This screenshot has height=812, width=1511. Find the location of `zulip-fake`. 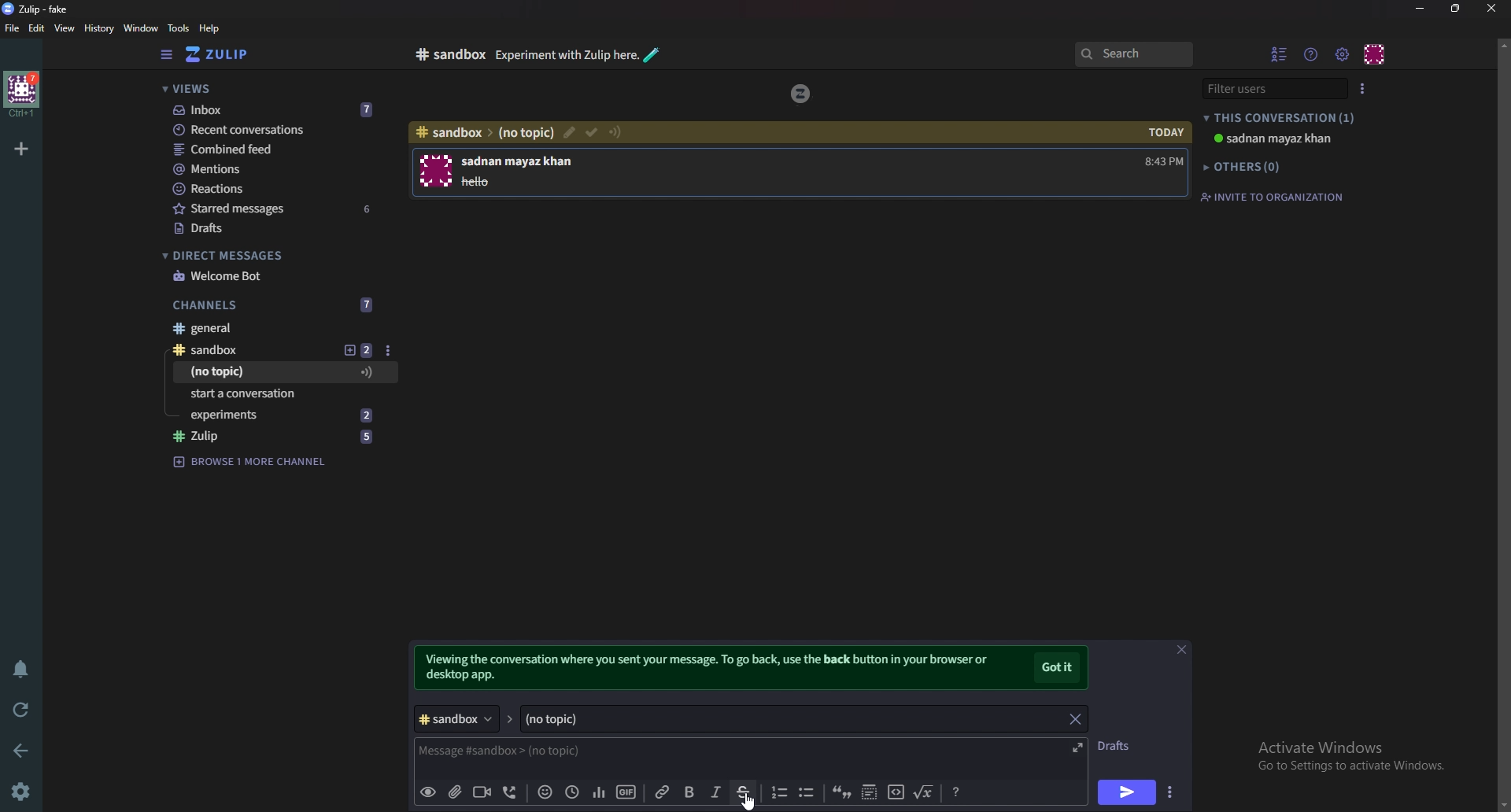

zulip-fake is located at coordinates (41, 9).